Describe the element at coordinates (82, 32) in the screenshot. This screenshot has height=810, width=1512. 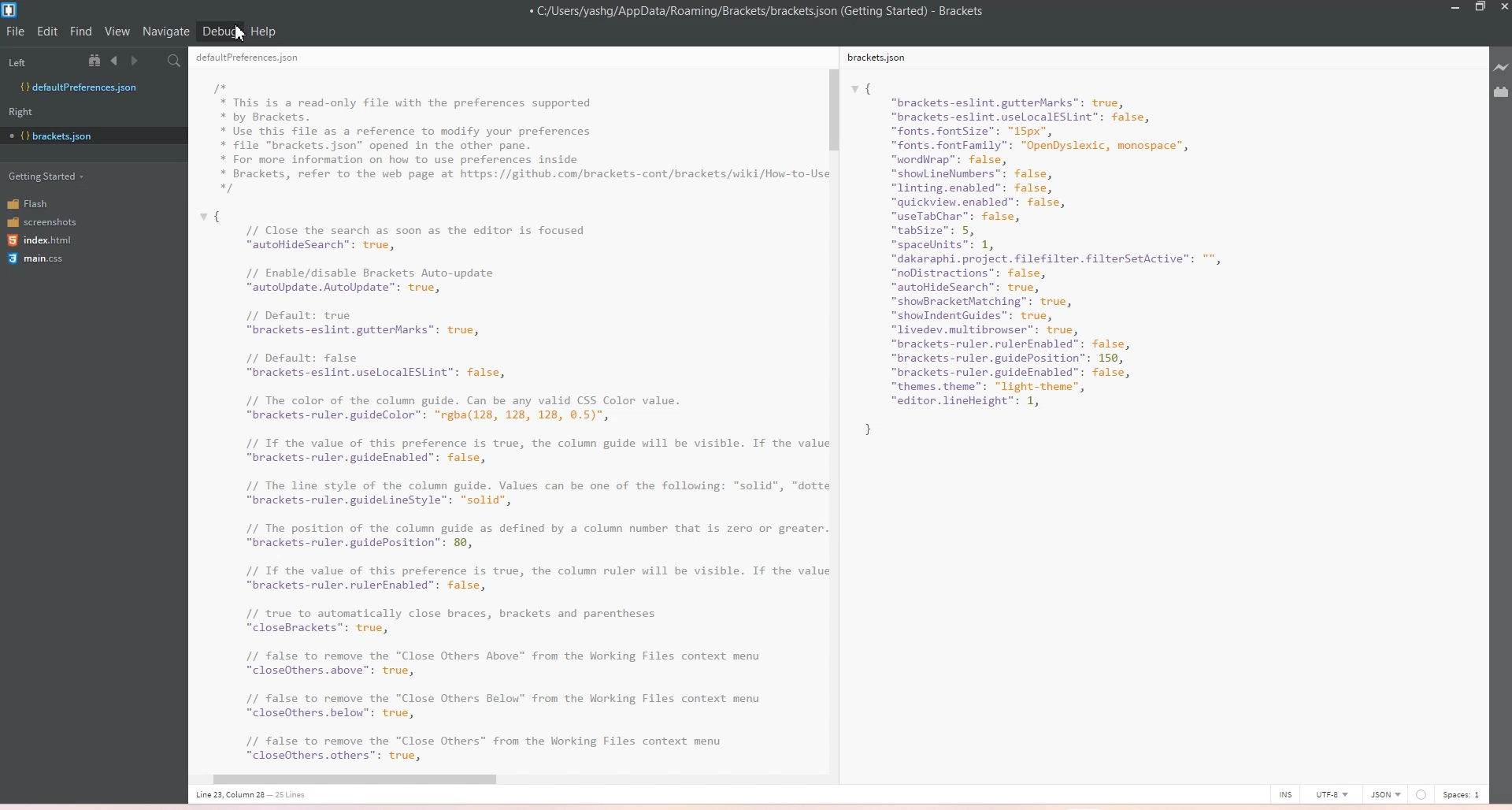
I see `Find` at that location.